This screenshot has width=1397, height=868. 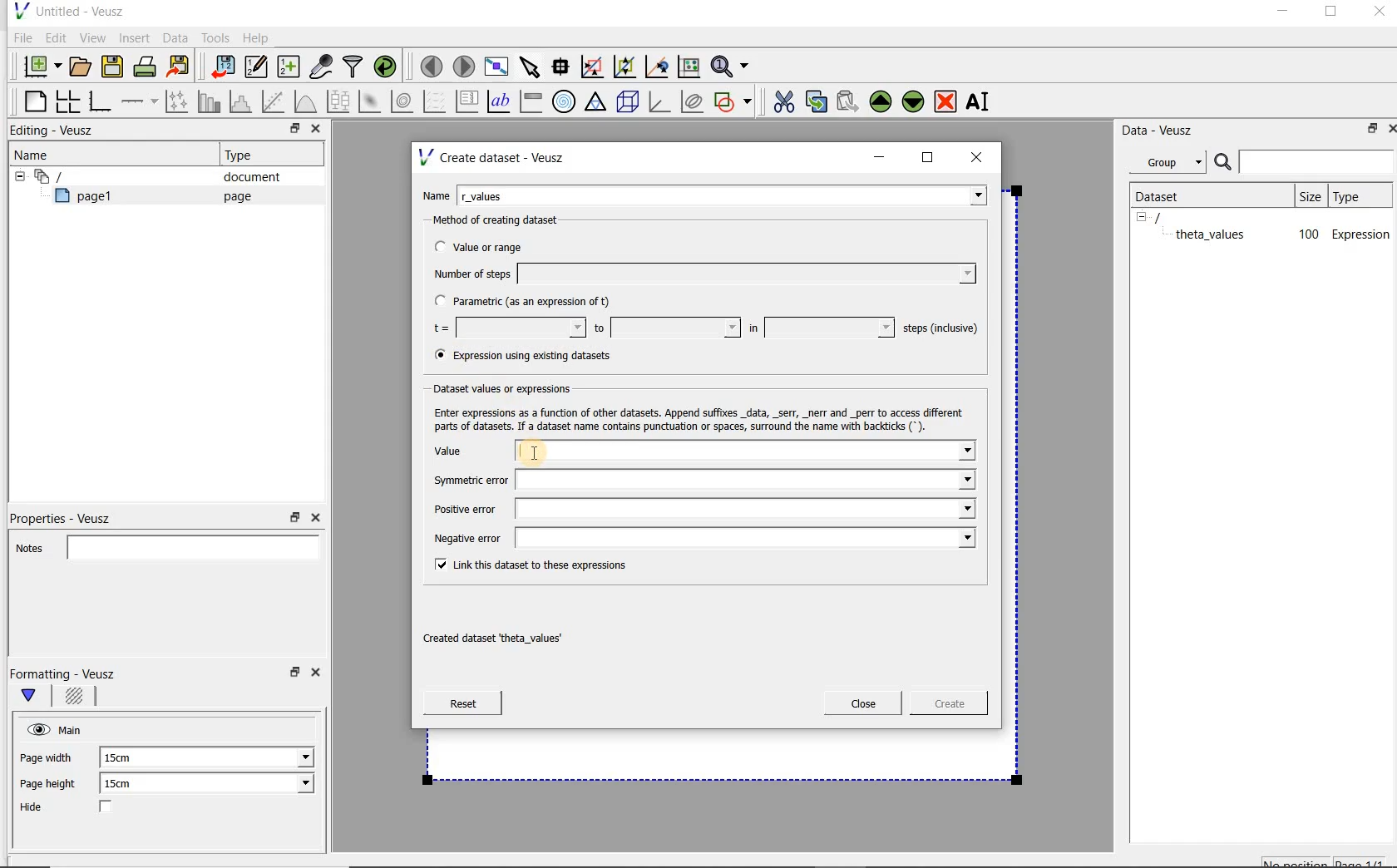 What do you see at coordinates (695, 417) in the screenshot?
I see `Enter expressions as a function of other datasets. Append suffixes _data, _serr, _nerr and _perr to access different
parts of datasets. If a dataset name contains punctuation or spaces, surround the name with backticks (*).` at bounding box center [695, 417].